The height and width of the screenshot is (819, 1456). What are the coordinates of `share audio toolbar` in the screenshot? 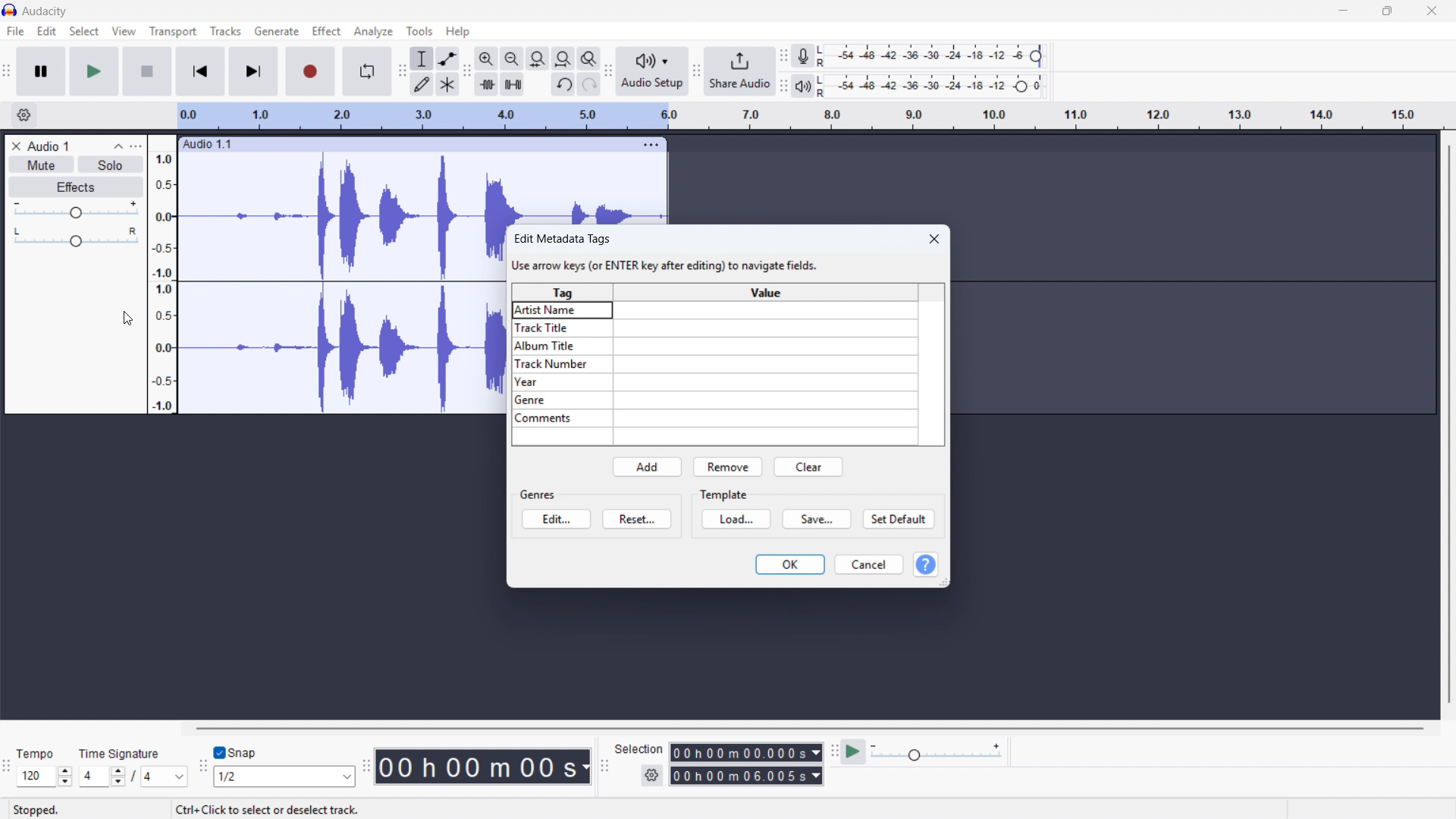 It's located at (697, 71).